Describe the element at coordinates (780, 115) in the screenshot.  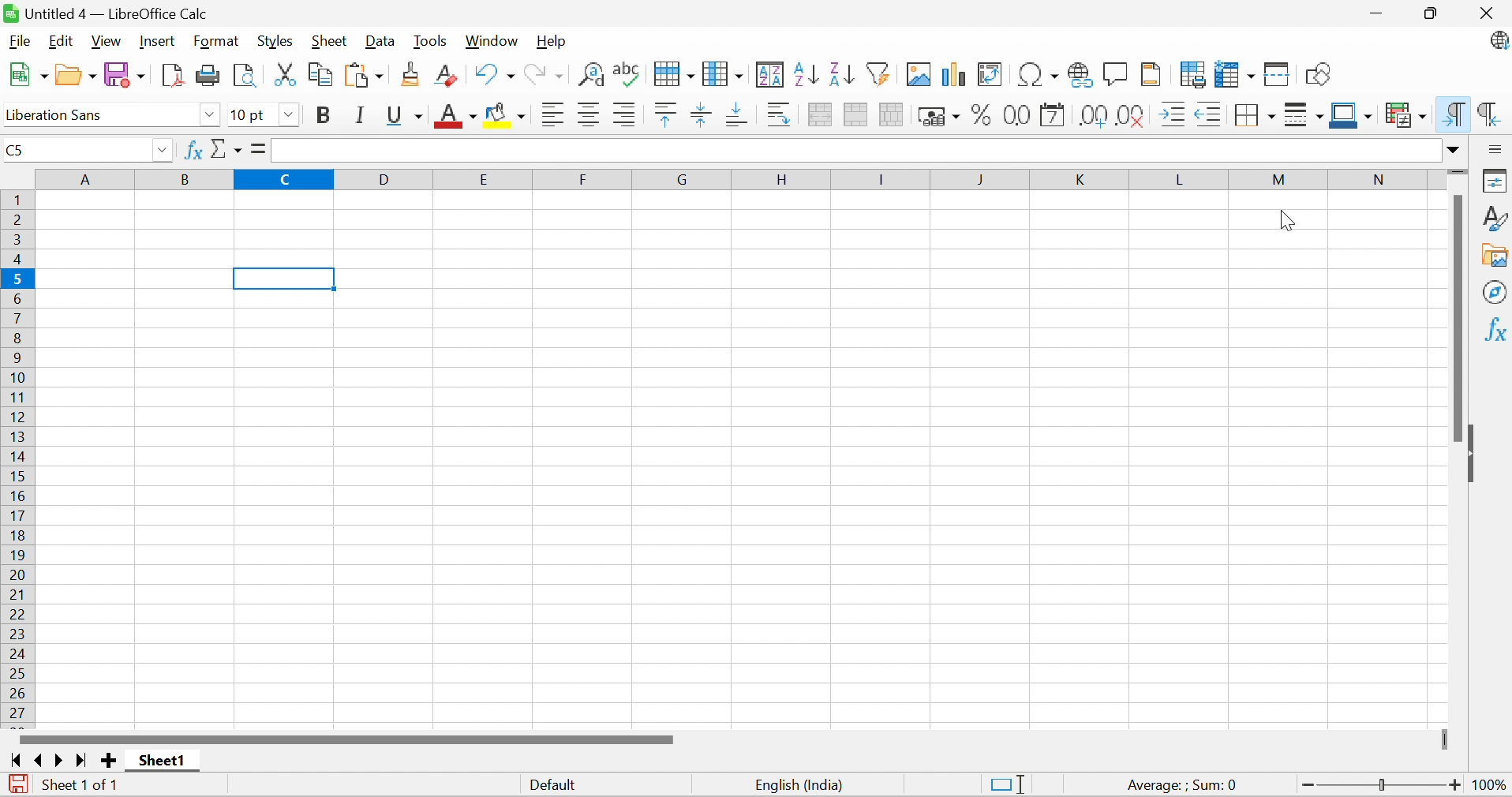
I see `Wrap text` at that location.